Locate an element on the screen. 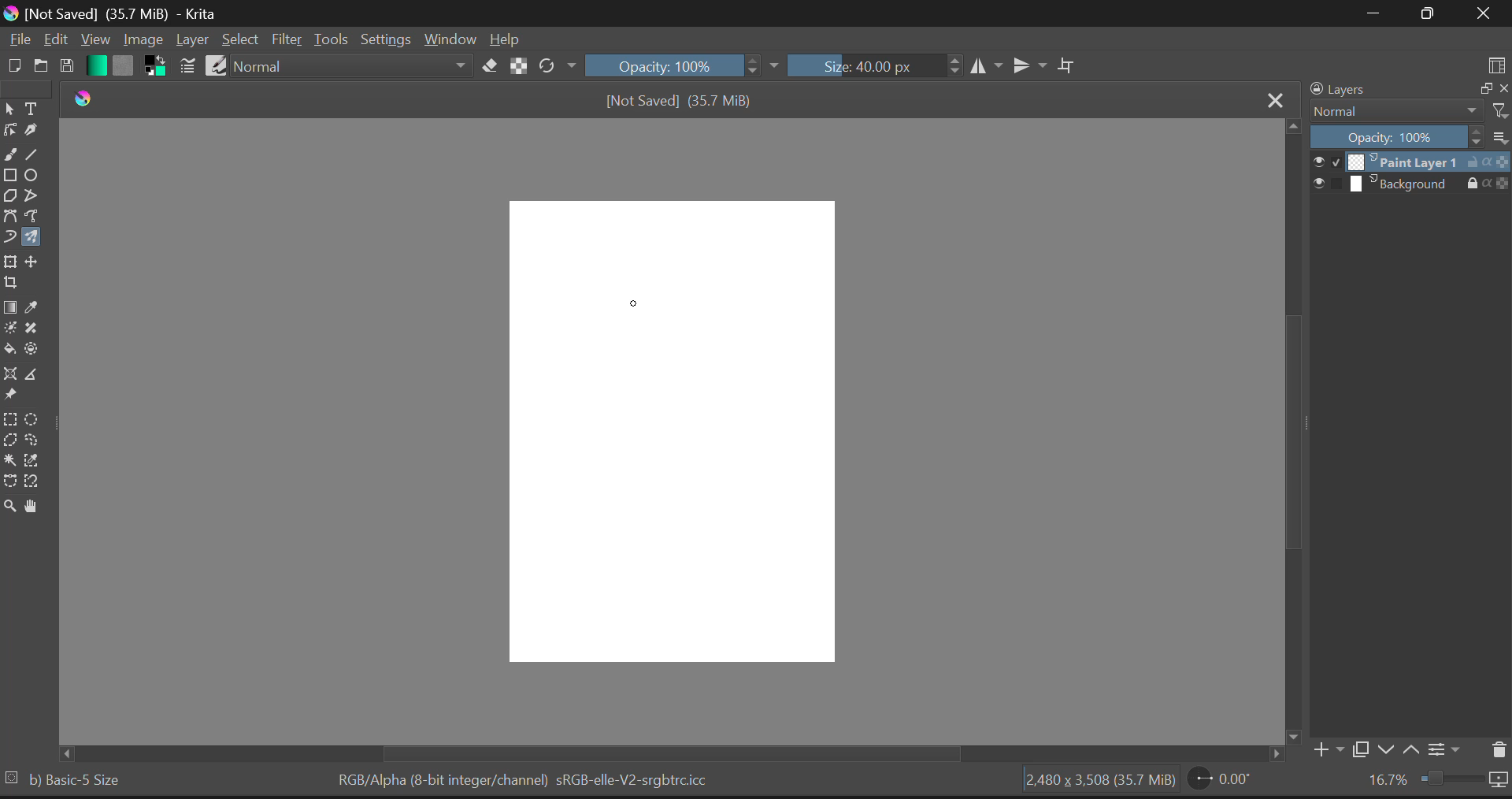 This screenshot has height=799, width=1512. Minimize is located at coordinates (1432, 13).